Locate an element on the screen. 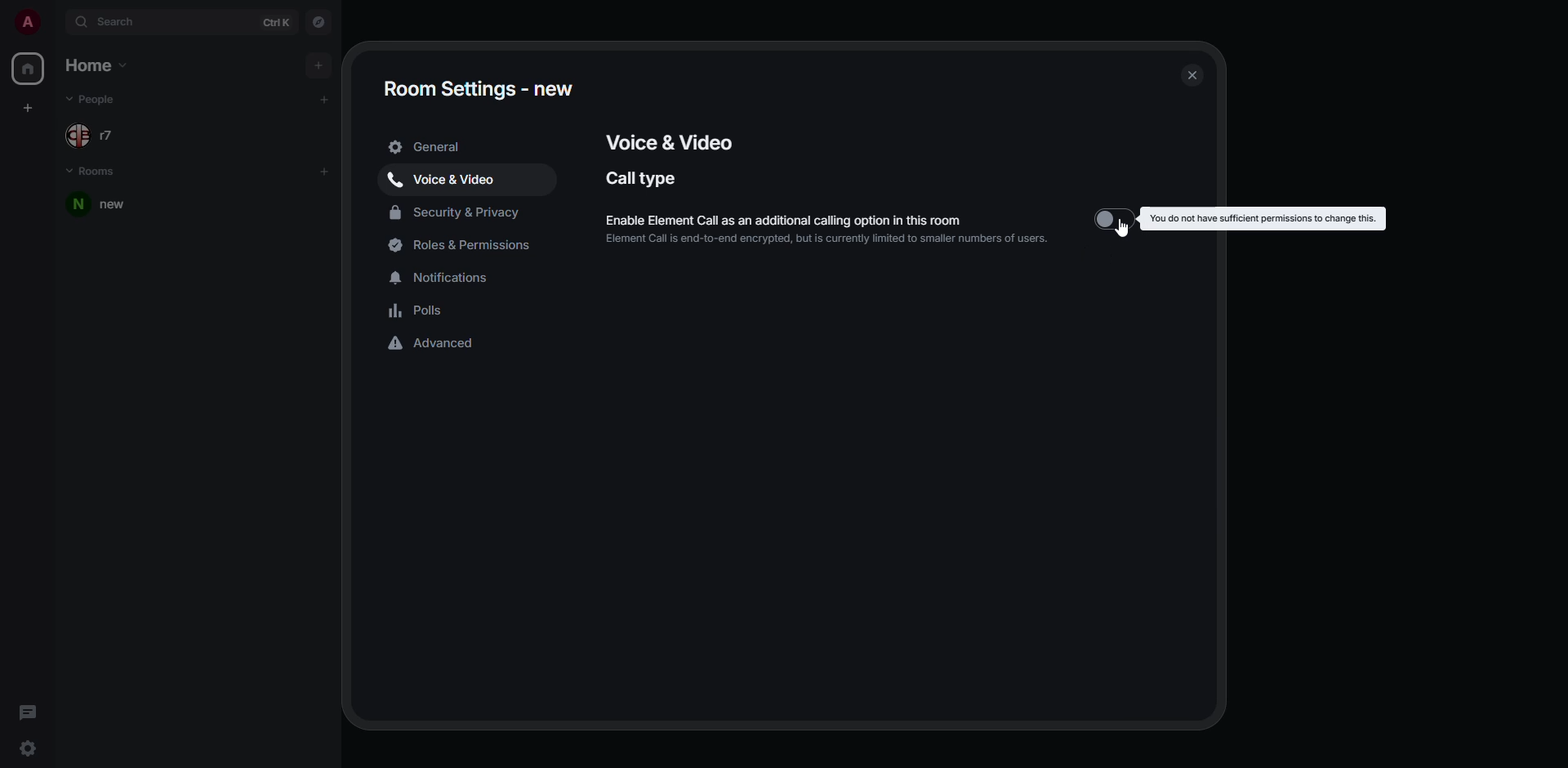  search is located at coordinates (115, 23).